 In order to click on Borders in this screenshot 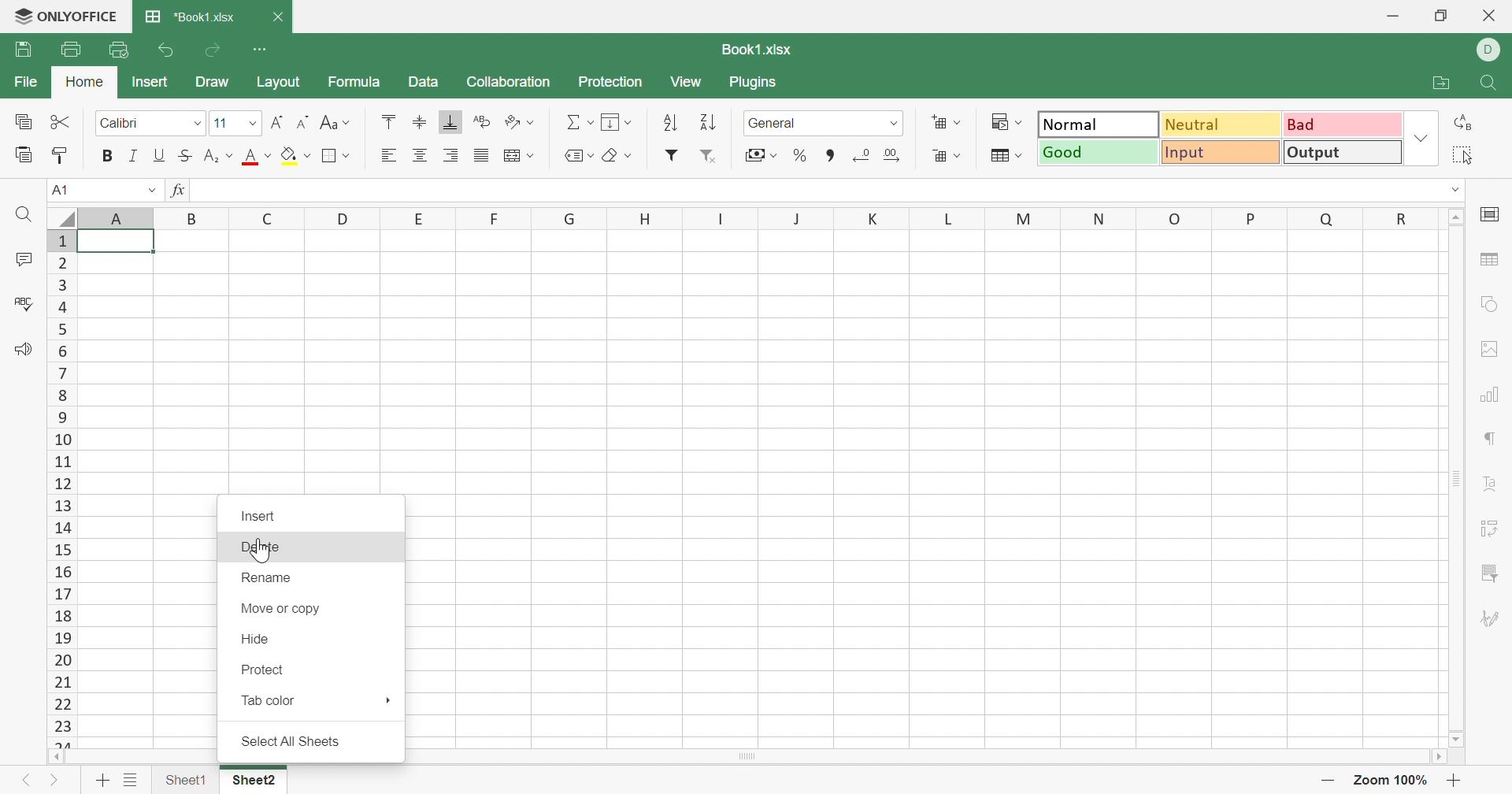, I will do `click(339, 155)`.